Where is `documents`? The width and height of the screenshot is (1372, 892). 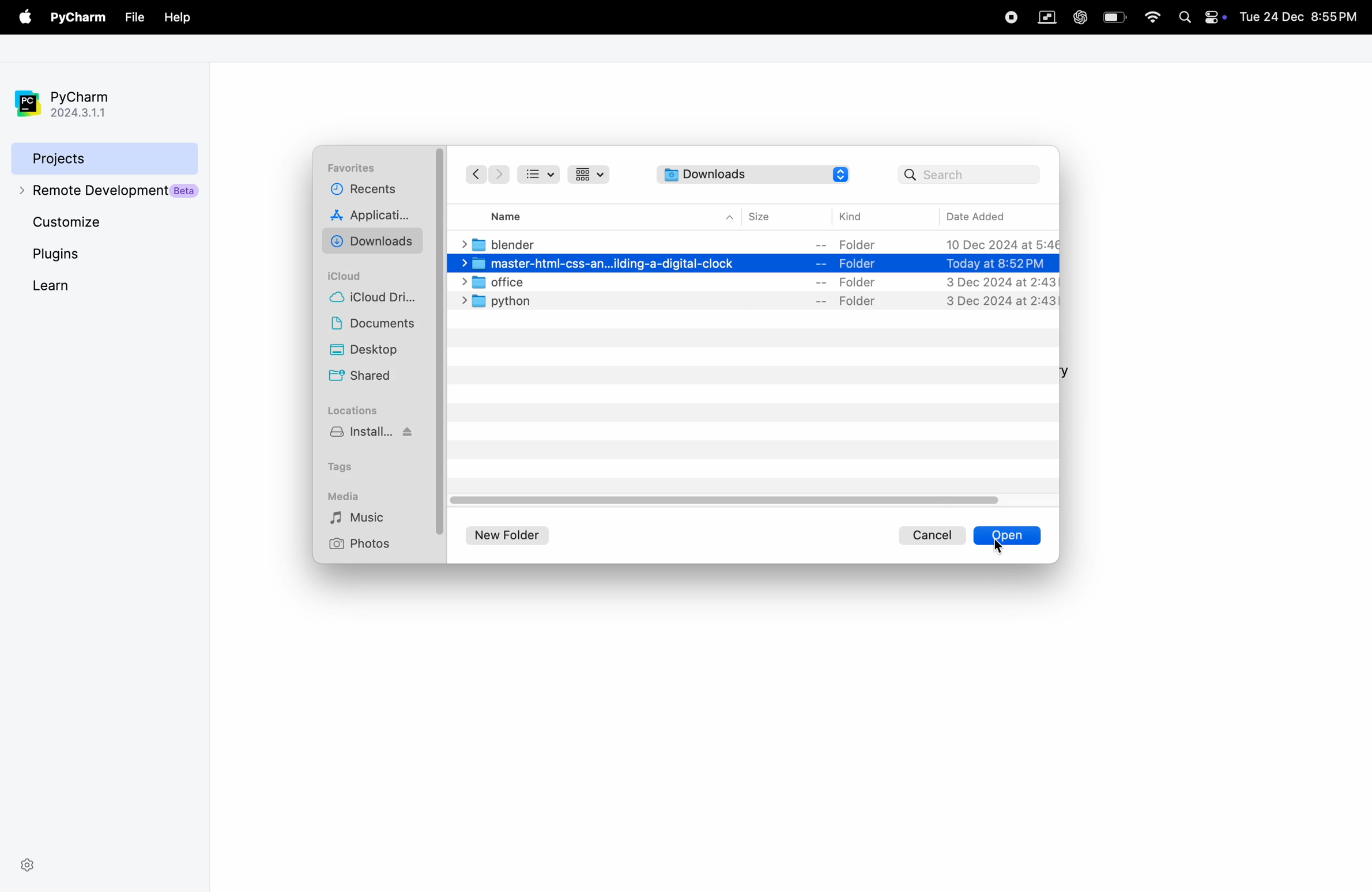
documents is located at coordinates (377, 326).